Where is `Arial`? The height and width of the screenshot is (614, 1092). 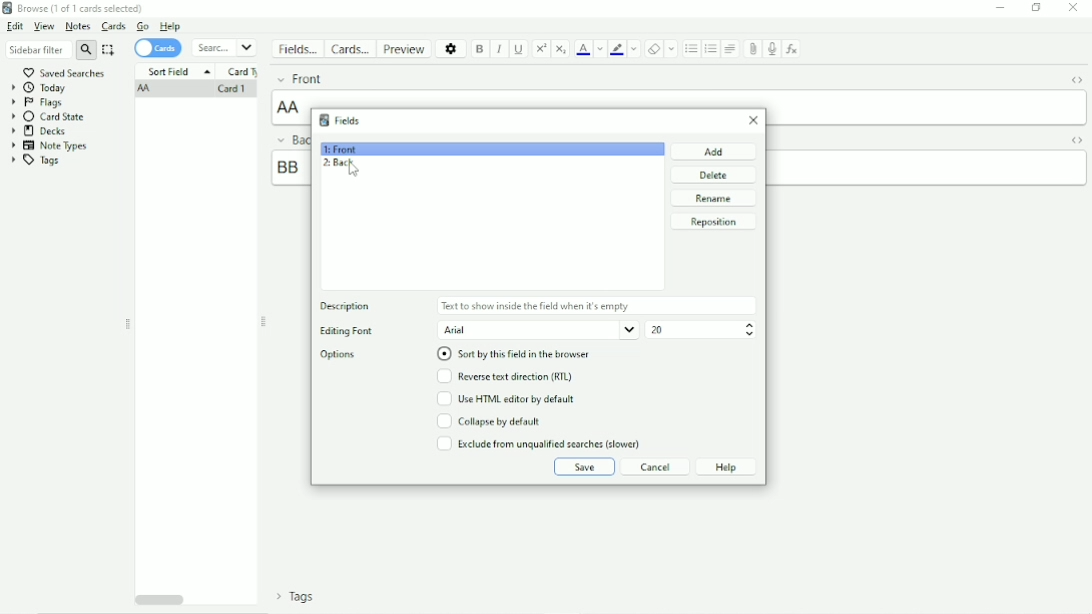 Arial is located at coordinates (538, 330).